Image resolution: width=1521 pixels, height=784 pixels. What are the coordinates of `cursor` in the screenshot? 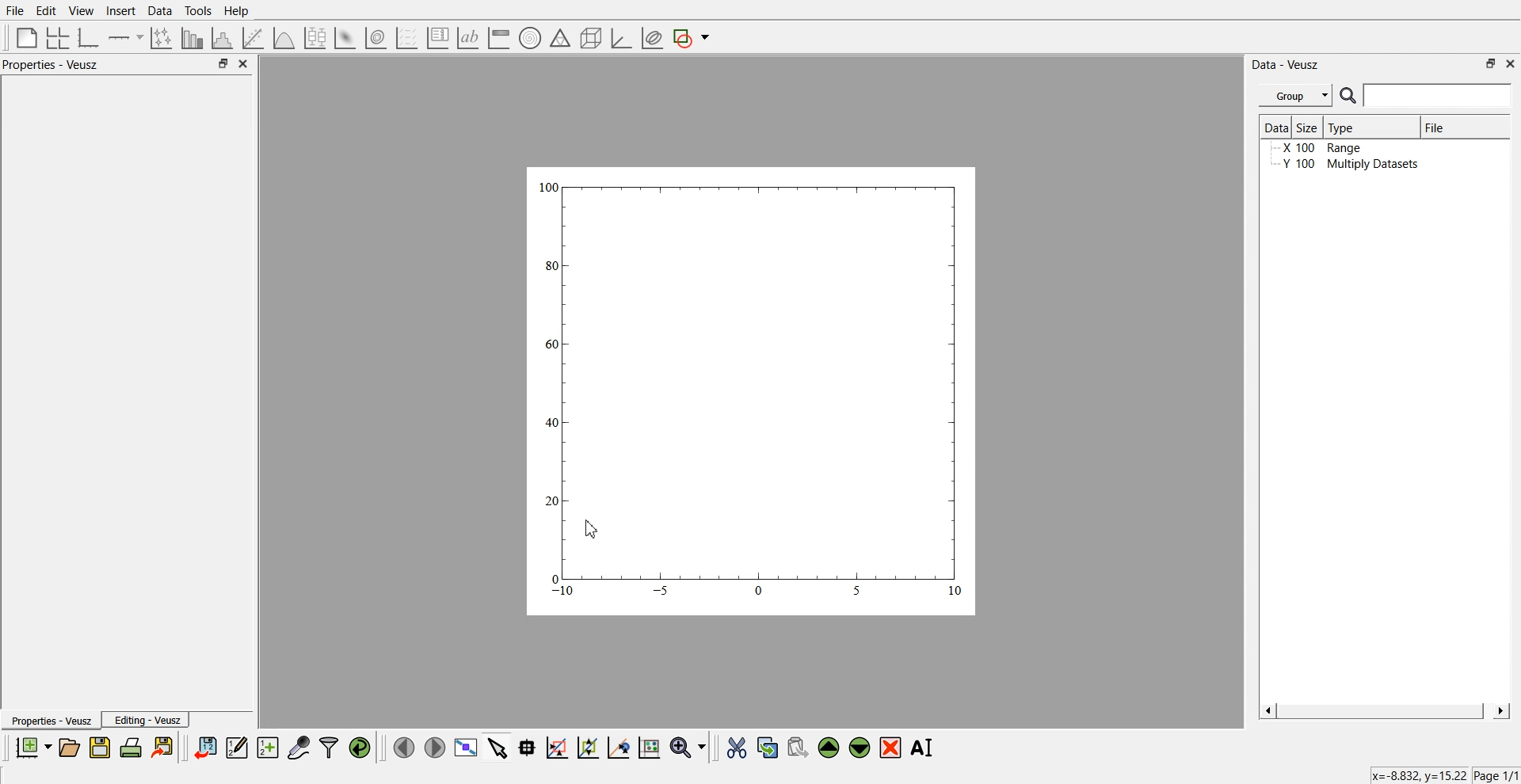 It's located at (589, 531).